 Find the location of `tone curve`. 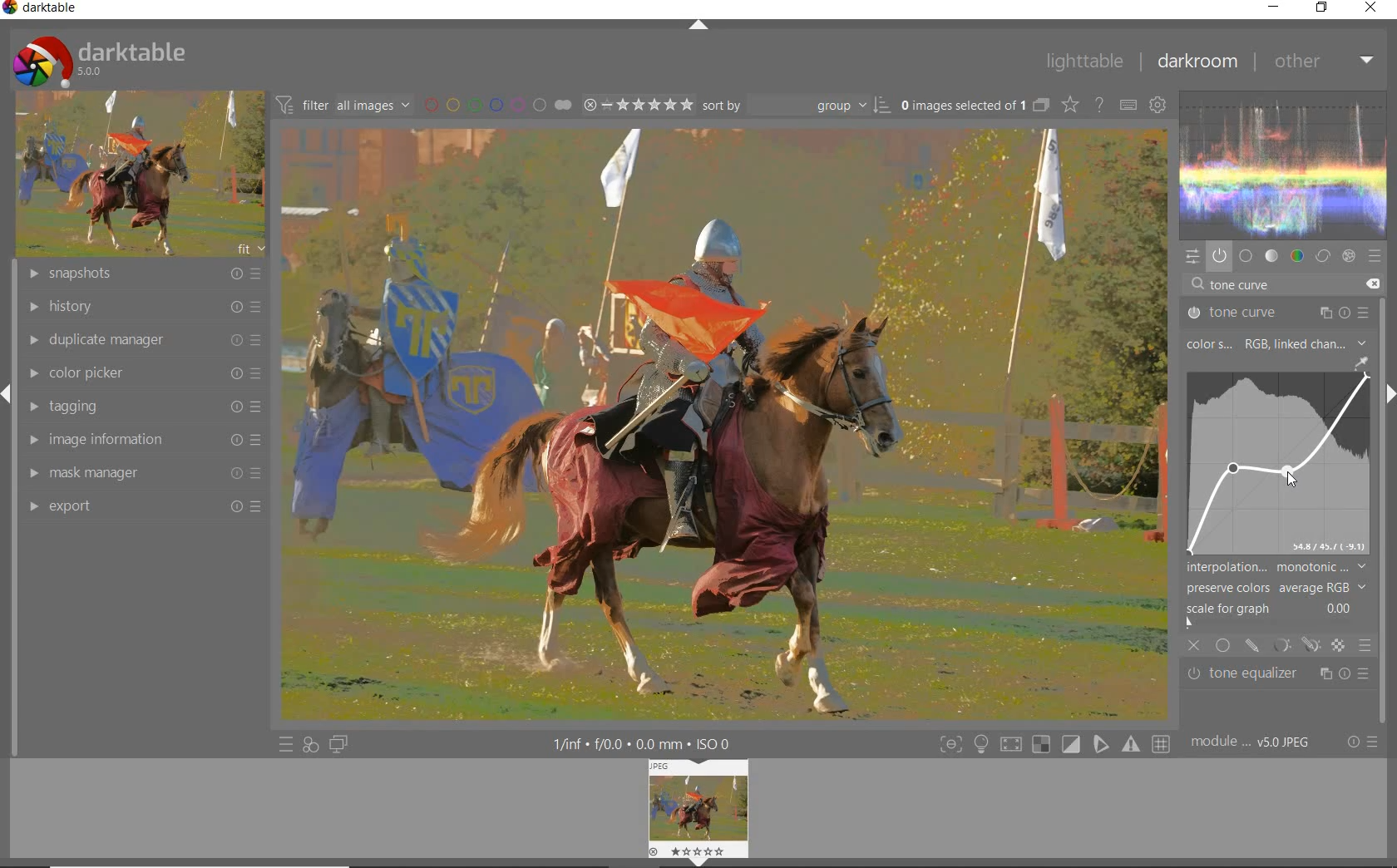

tone curve is located at coordinates (1276, 460).